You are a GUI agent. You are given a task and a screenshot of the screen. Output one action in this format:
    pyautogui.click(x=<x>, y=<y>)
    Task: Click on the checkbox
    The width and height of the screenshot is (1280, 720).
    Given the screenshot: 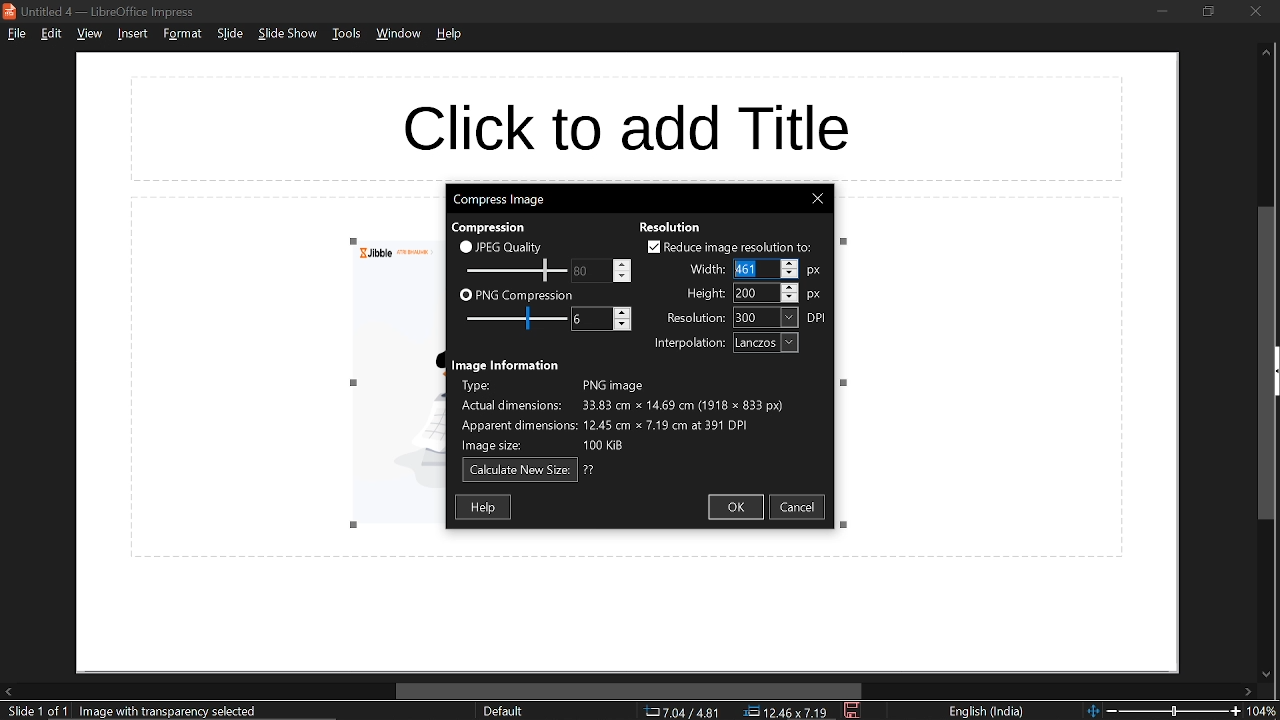 What is the action you would take?
    pyautogui.click(x=651, y=246)
    